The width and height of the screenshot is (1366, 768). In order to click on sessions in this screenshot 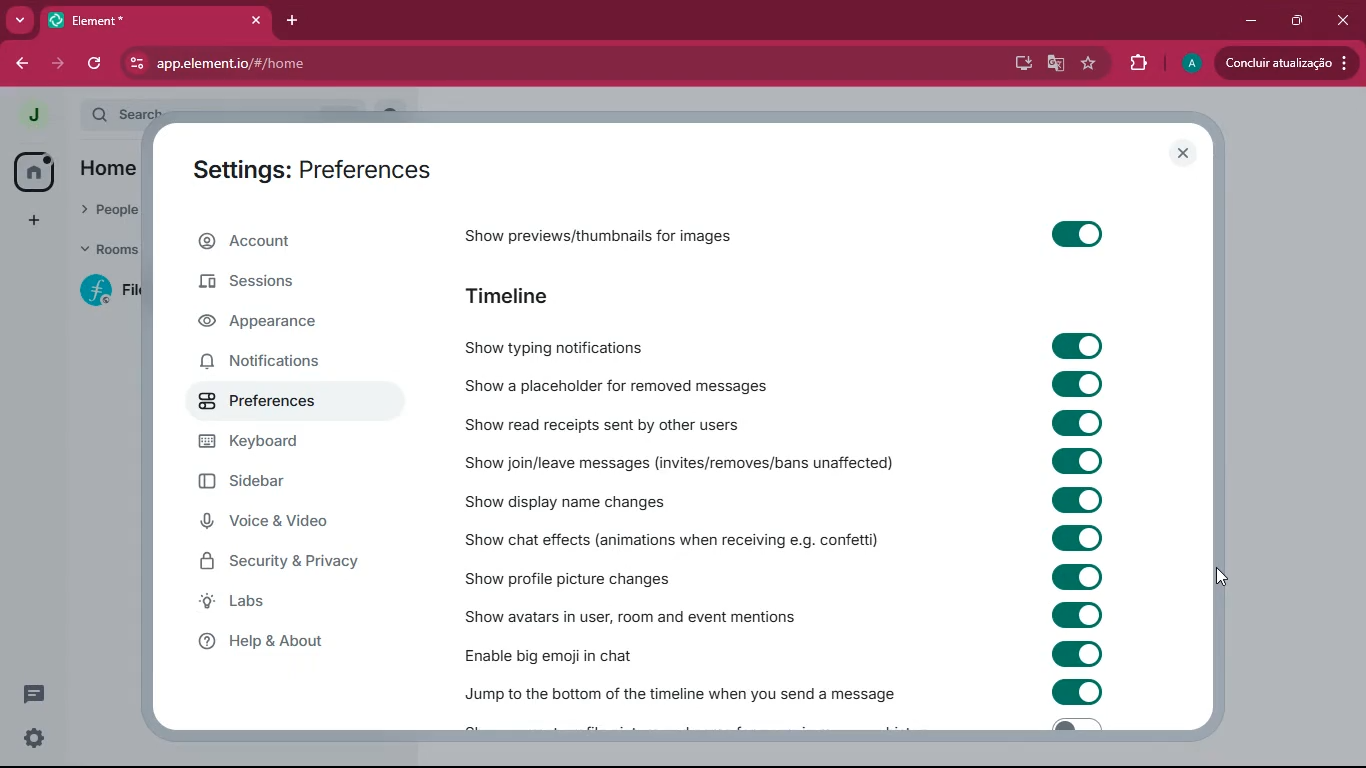, I will do `click(288, 288)`.